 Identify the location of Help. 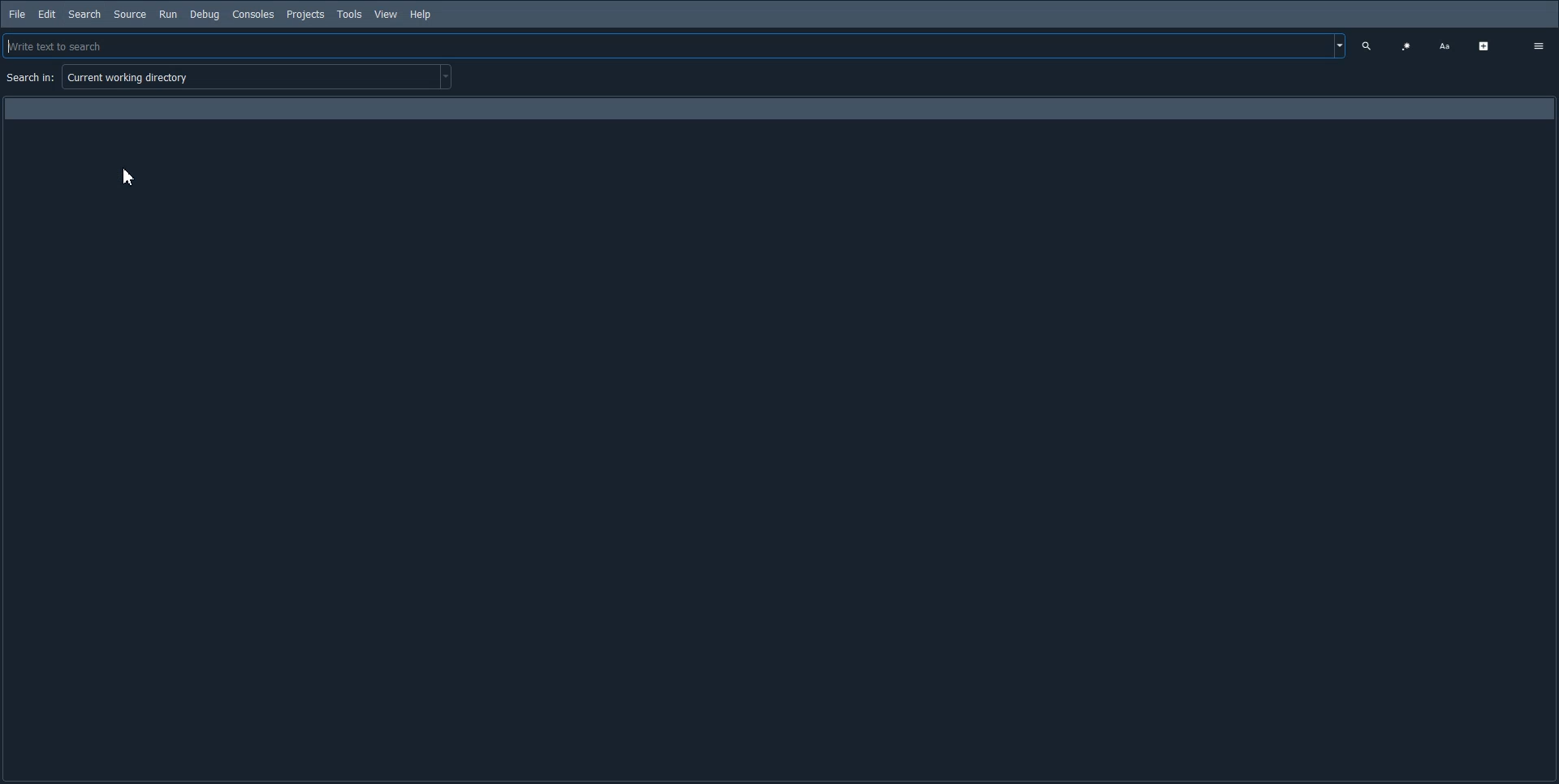
(420, 15).